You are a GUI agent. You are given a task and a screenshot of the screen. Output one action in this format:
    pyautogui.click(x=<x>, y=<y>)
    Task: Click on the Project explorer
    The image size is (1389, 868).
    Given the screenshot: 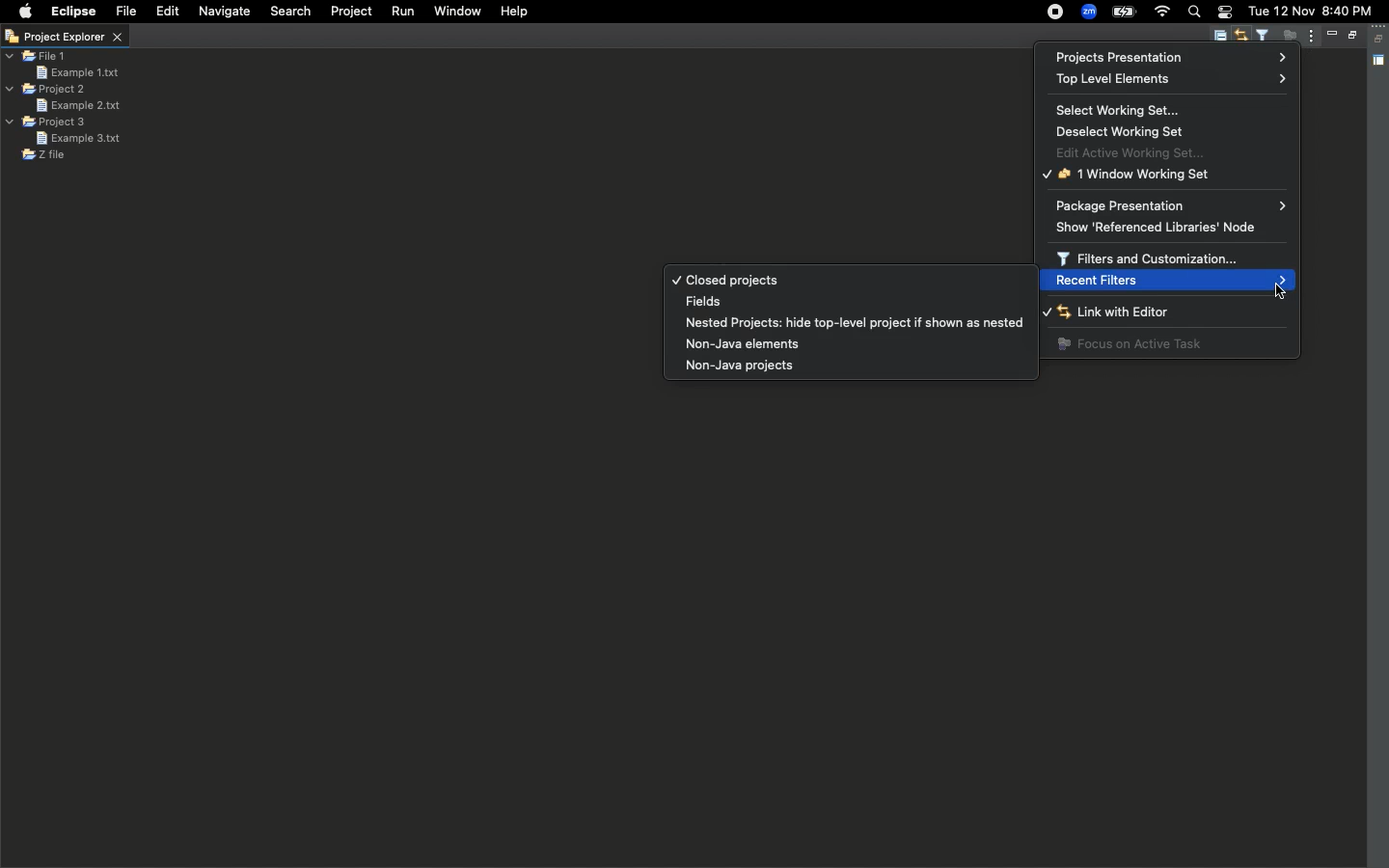 What is the action you would take?
    pyautogui.click(x=64, y=38)
    